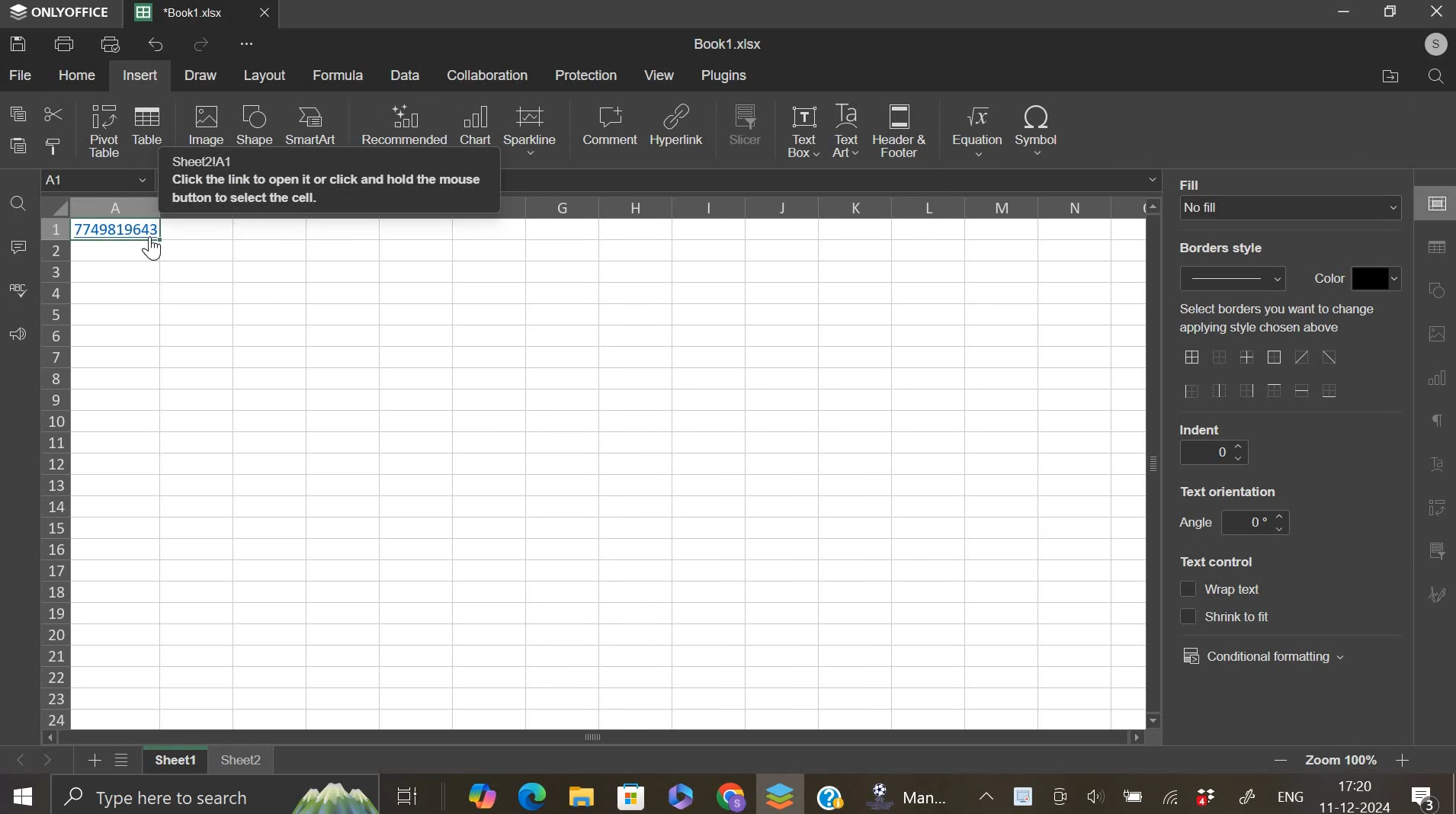 The image size is (1456, 814). I want to click on equation, so click(976, 131).